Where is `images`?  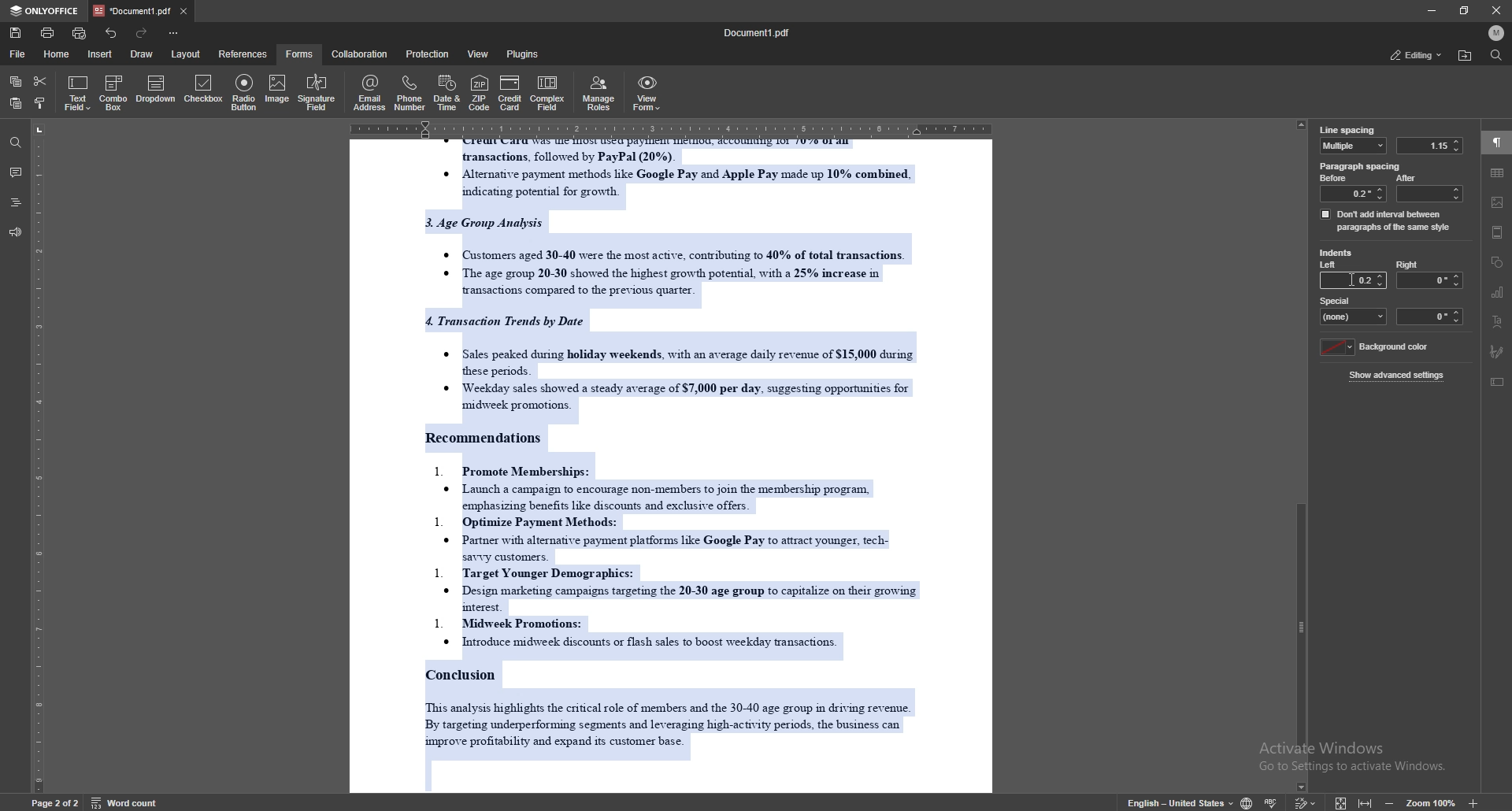
images is located at coordinates (1498, 202).